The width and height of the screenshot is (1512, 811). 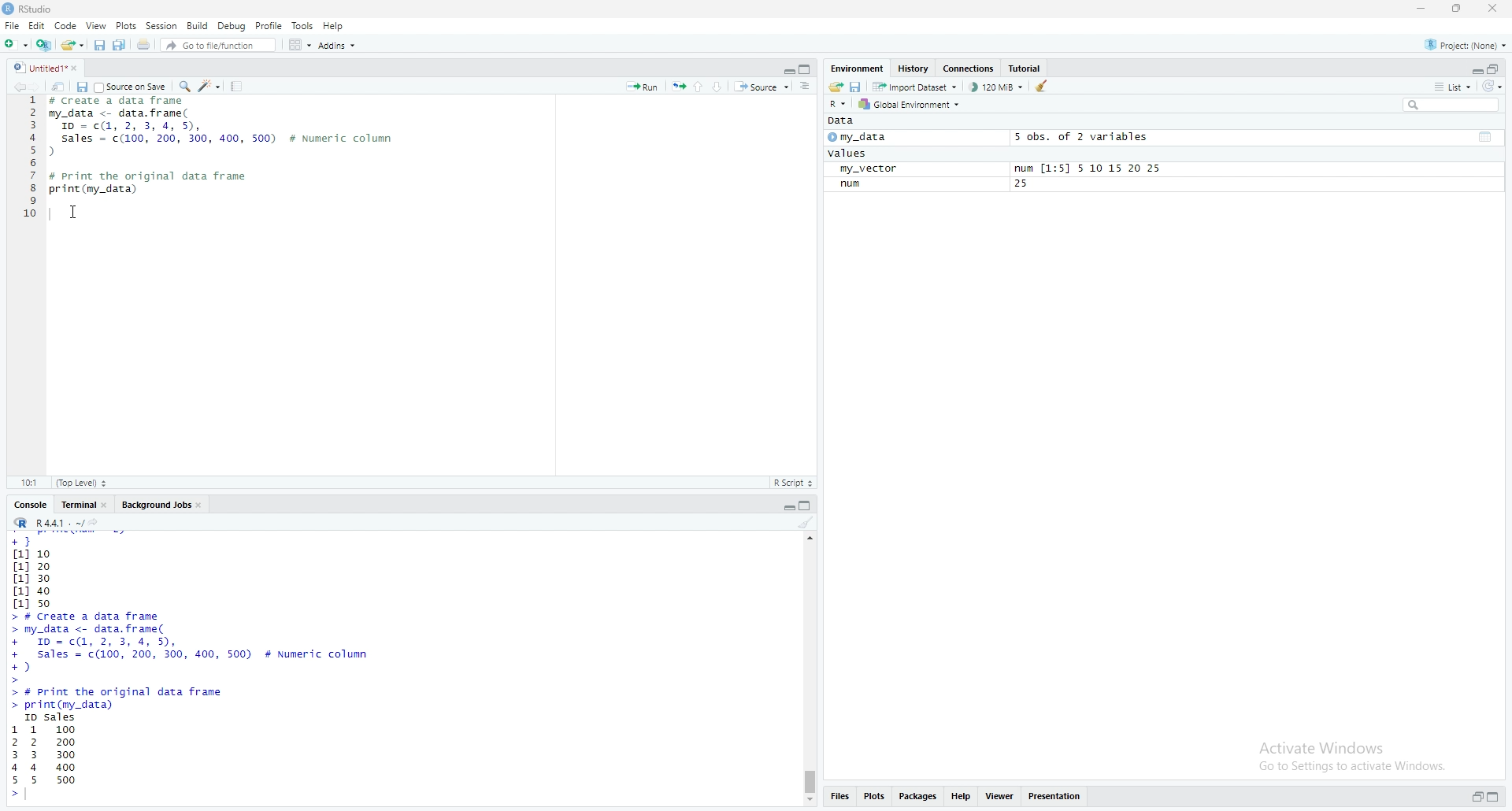 What do you see at coordinates (1085, 168) in the screenshot?
I see `num [1:5] 5 10 15 20 25` at bounding box center [1085, 168].